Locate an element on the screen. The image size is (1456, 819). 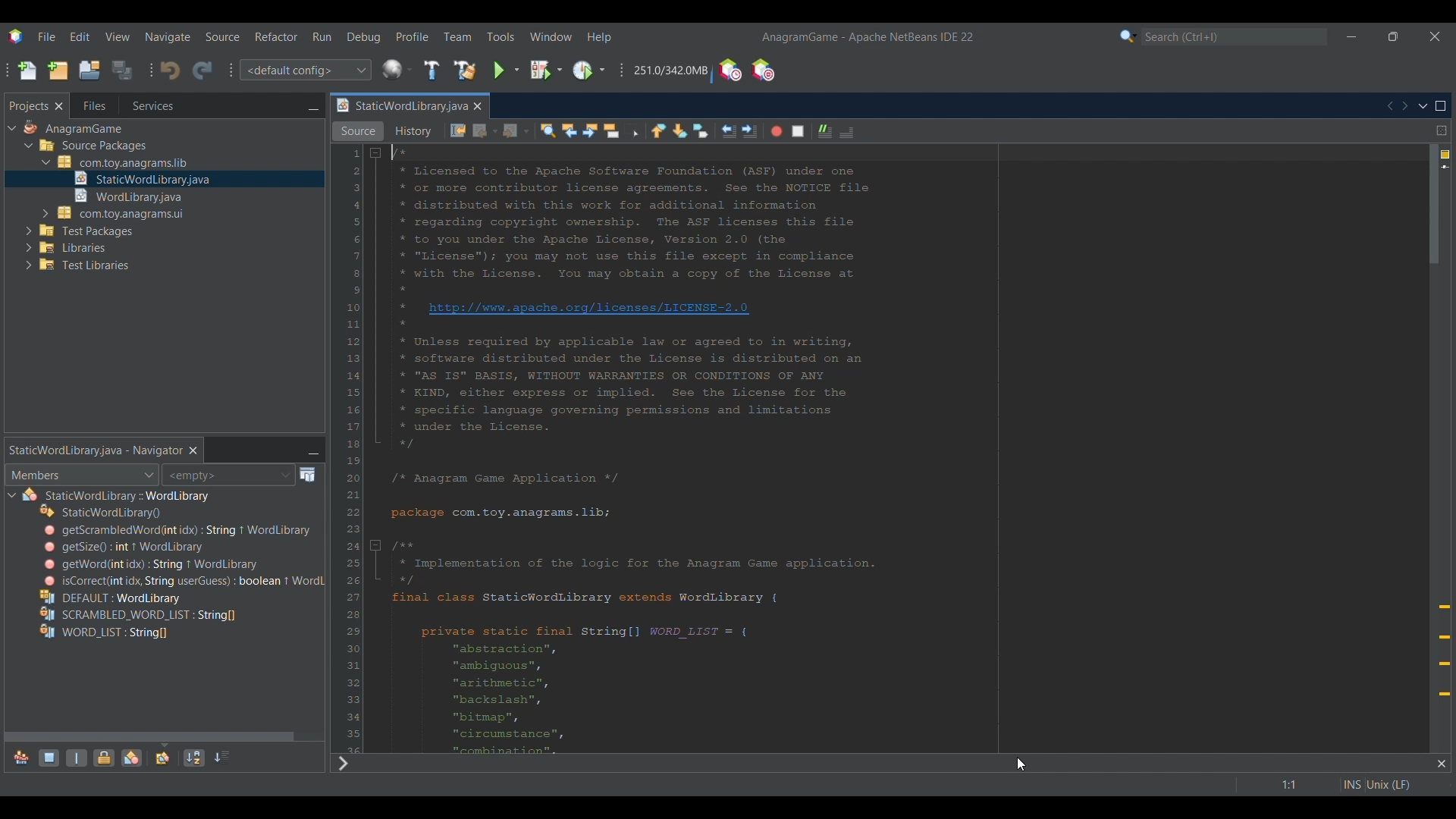
Close is located at coordinates (1441, 764).